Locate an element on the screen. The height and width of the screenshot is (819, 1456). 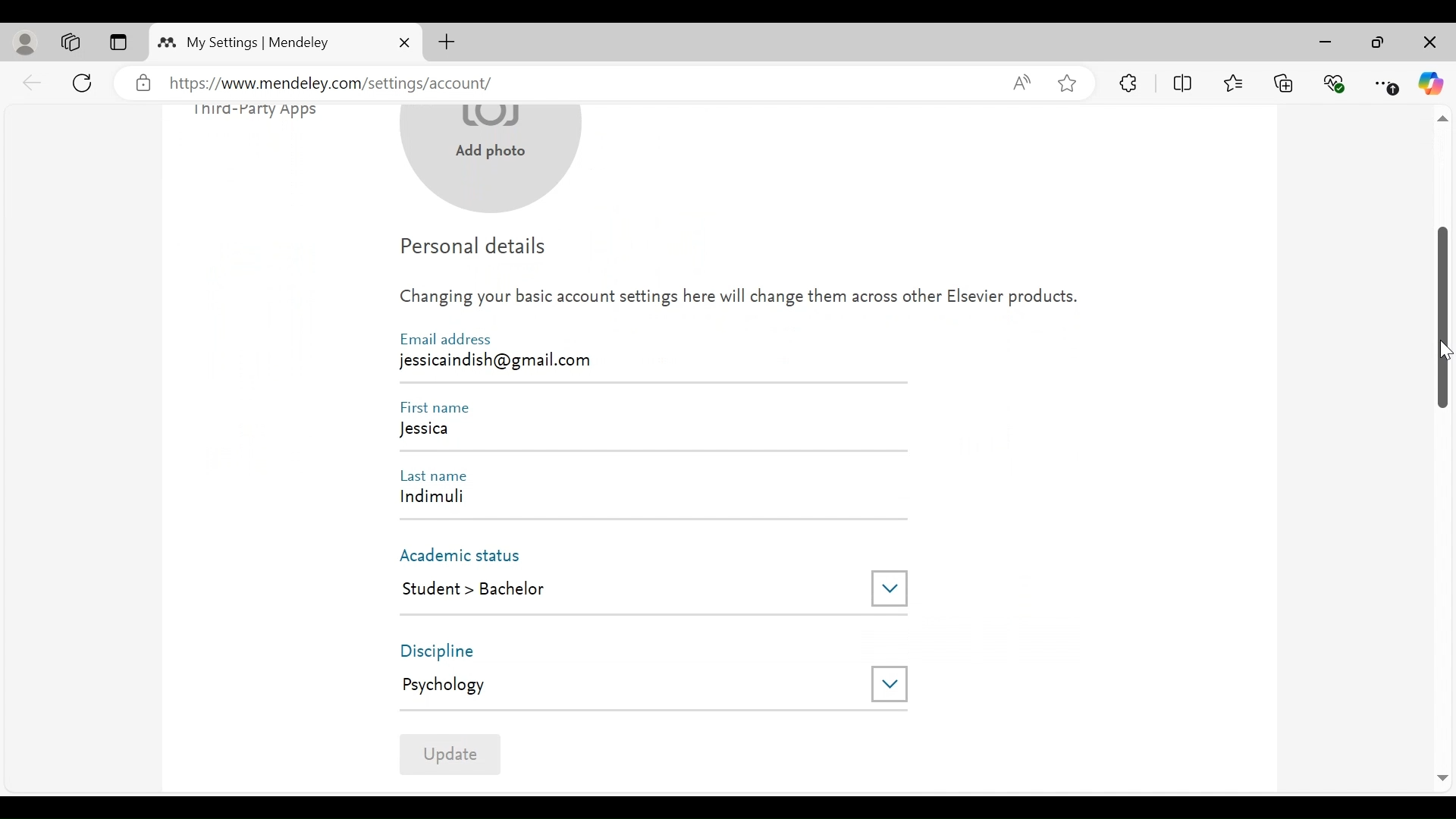
https://www.mendeley.com/settings/account/ is located at coordinates (578, 84).